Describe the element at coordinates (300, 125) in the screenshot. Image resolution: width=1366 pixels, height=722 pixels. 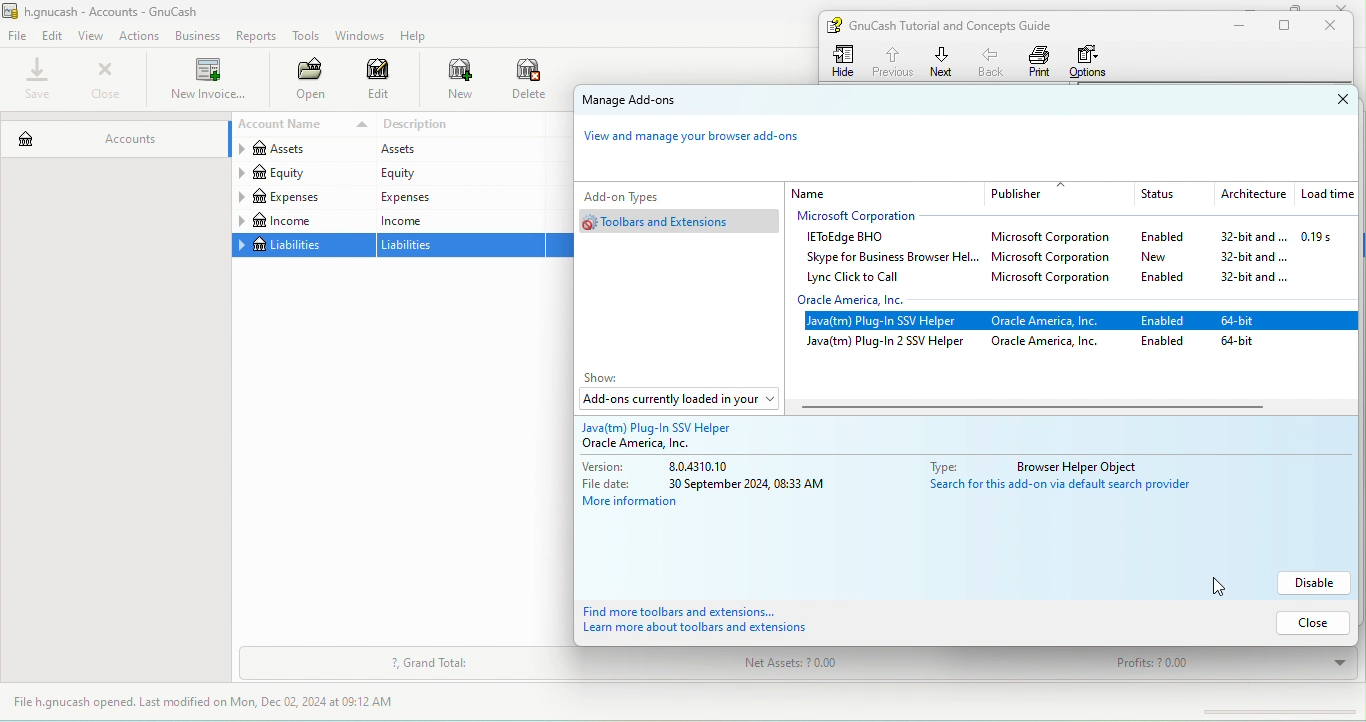
I see `account name` at that location.